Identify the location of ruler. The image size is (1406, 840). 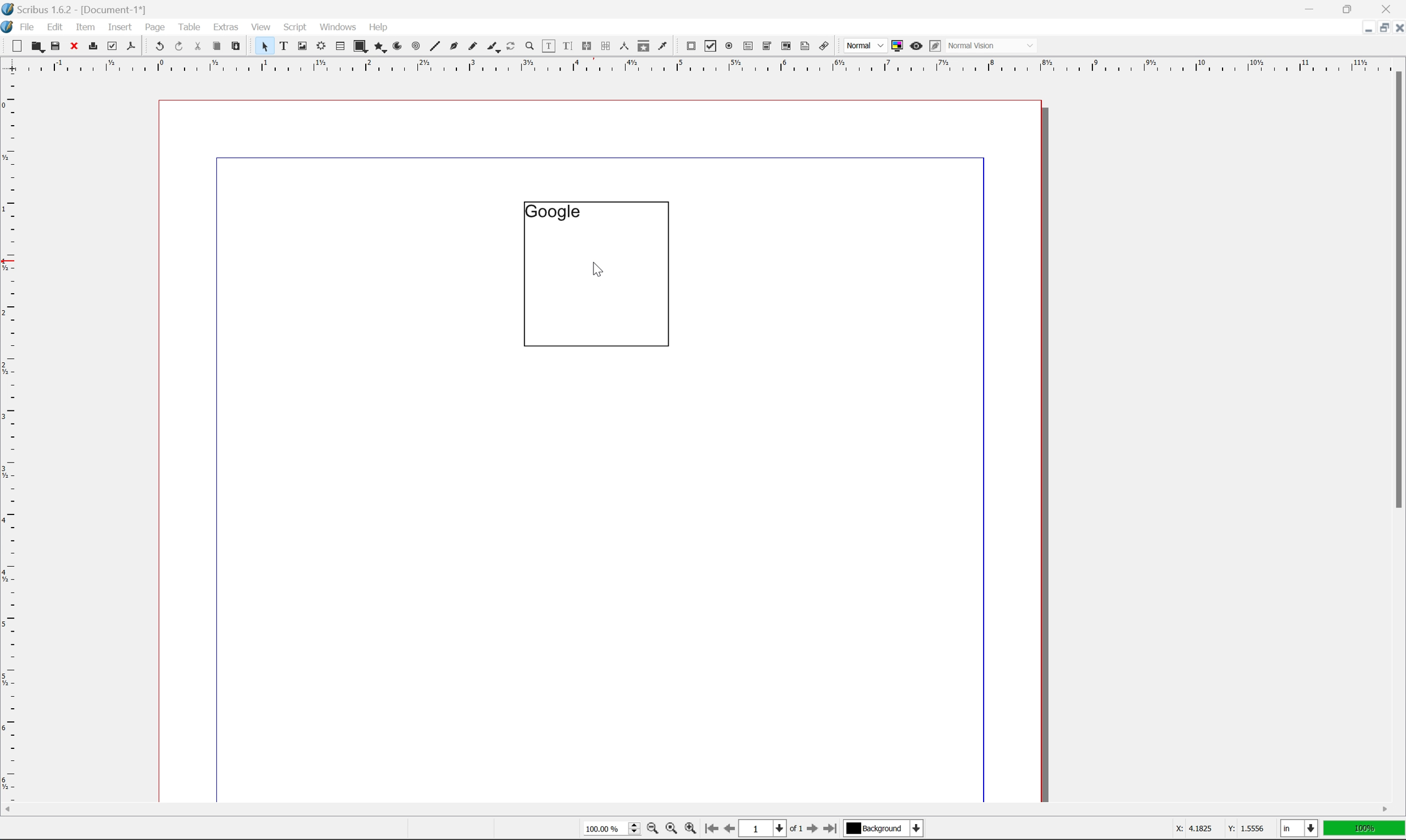
(10, 436).